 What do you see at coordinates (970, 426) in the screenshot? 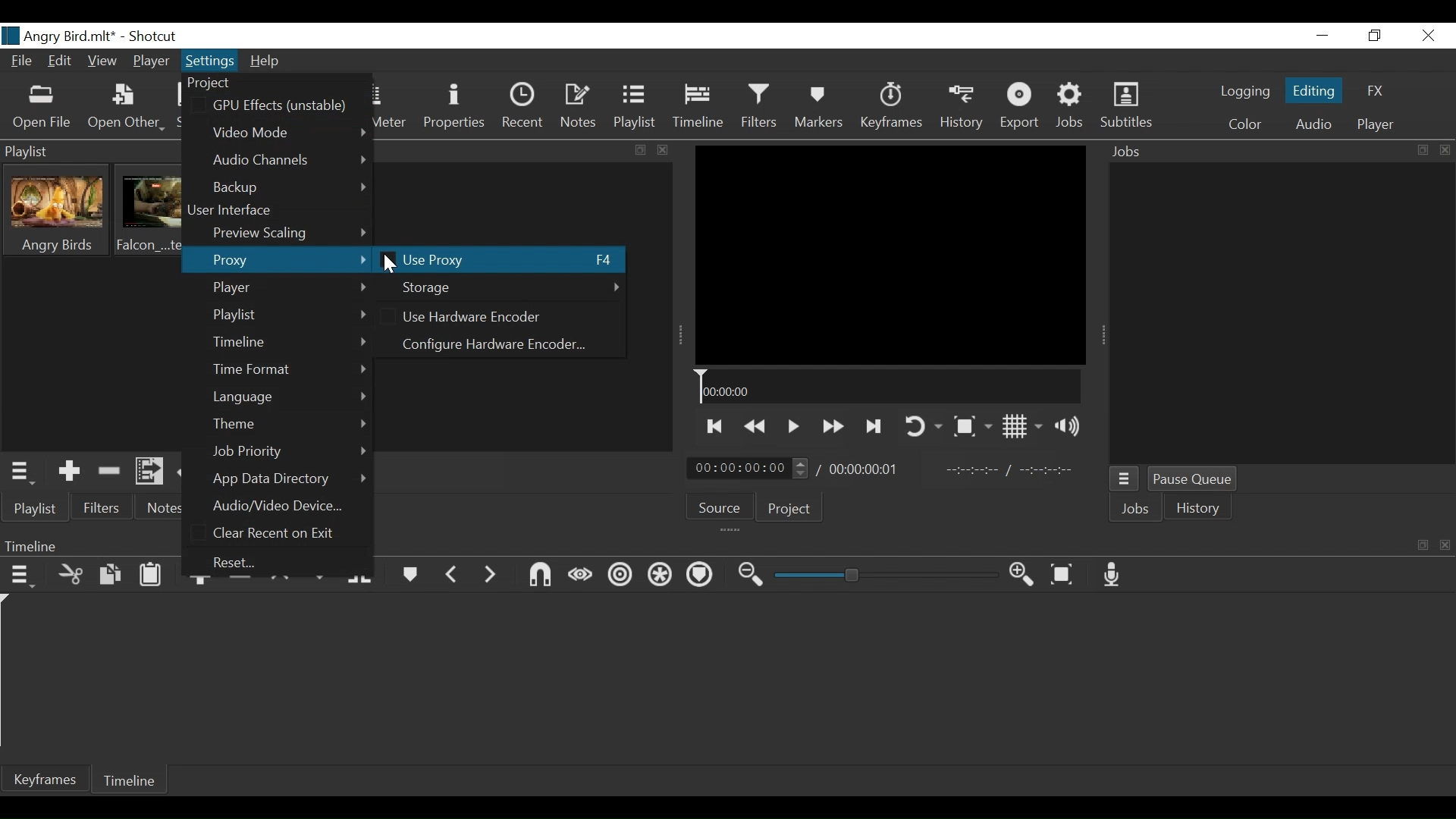
I see `Toggle Zoom` at bounding box center [970, 426].